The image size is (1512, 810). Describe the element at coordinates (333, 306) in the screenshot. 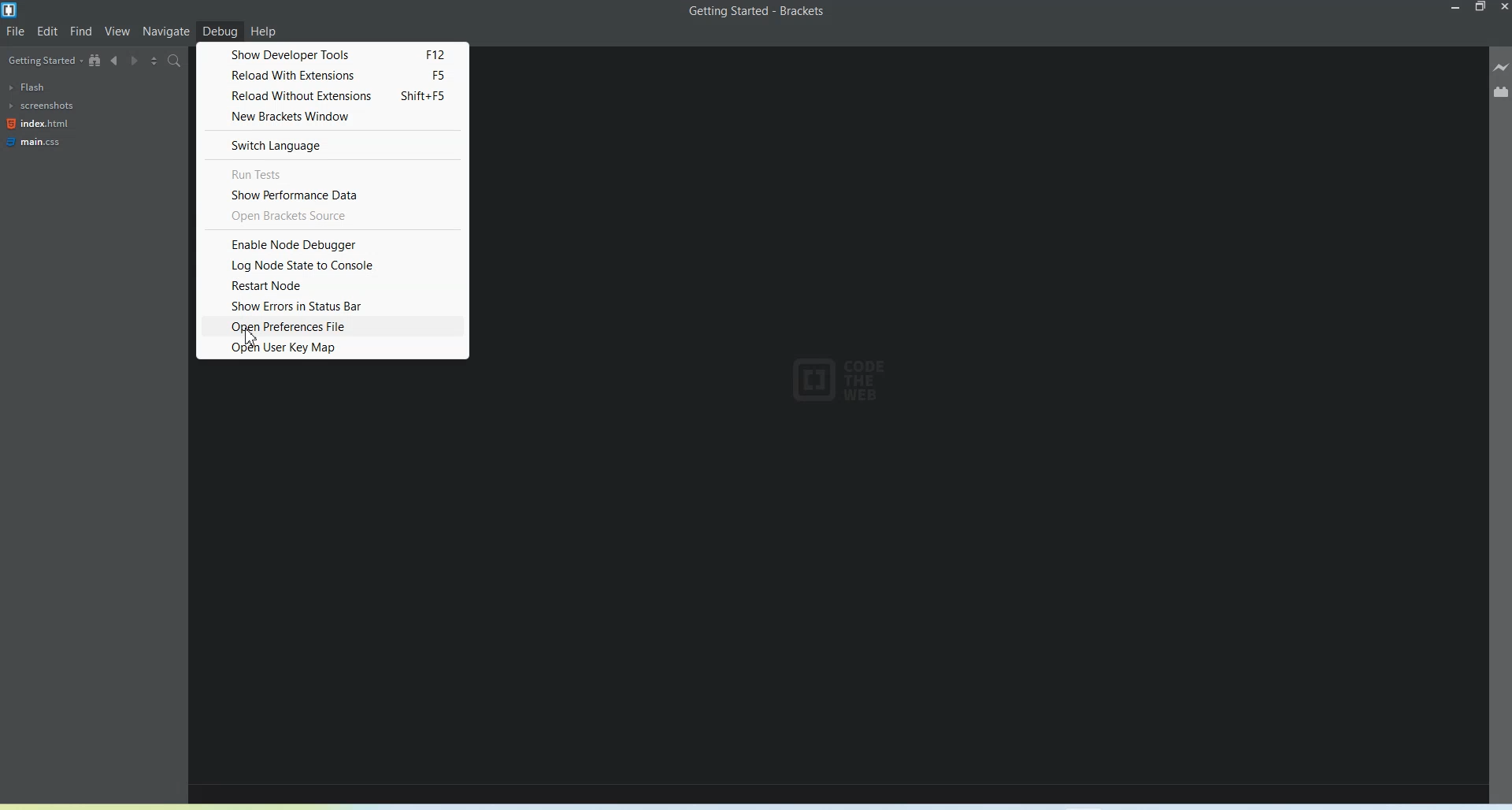

I see `Show Errors in status Bar` at that location.